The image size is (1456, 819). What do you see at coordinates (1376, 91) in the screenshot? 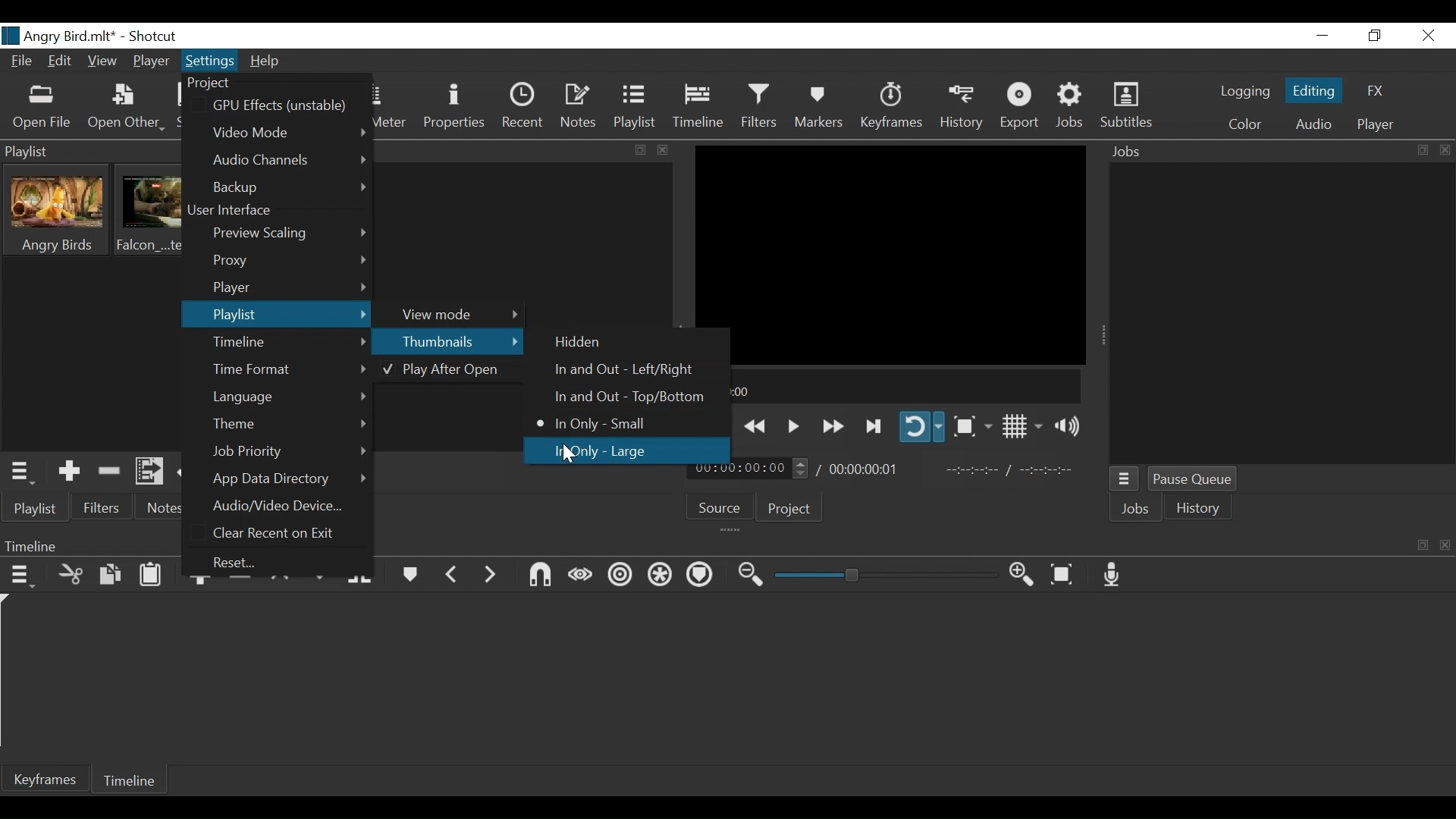
I see `FX` at bounding box center [1376, 91].